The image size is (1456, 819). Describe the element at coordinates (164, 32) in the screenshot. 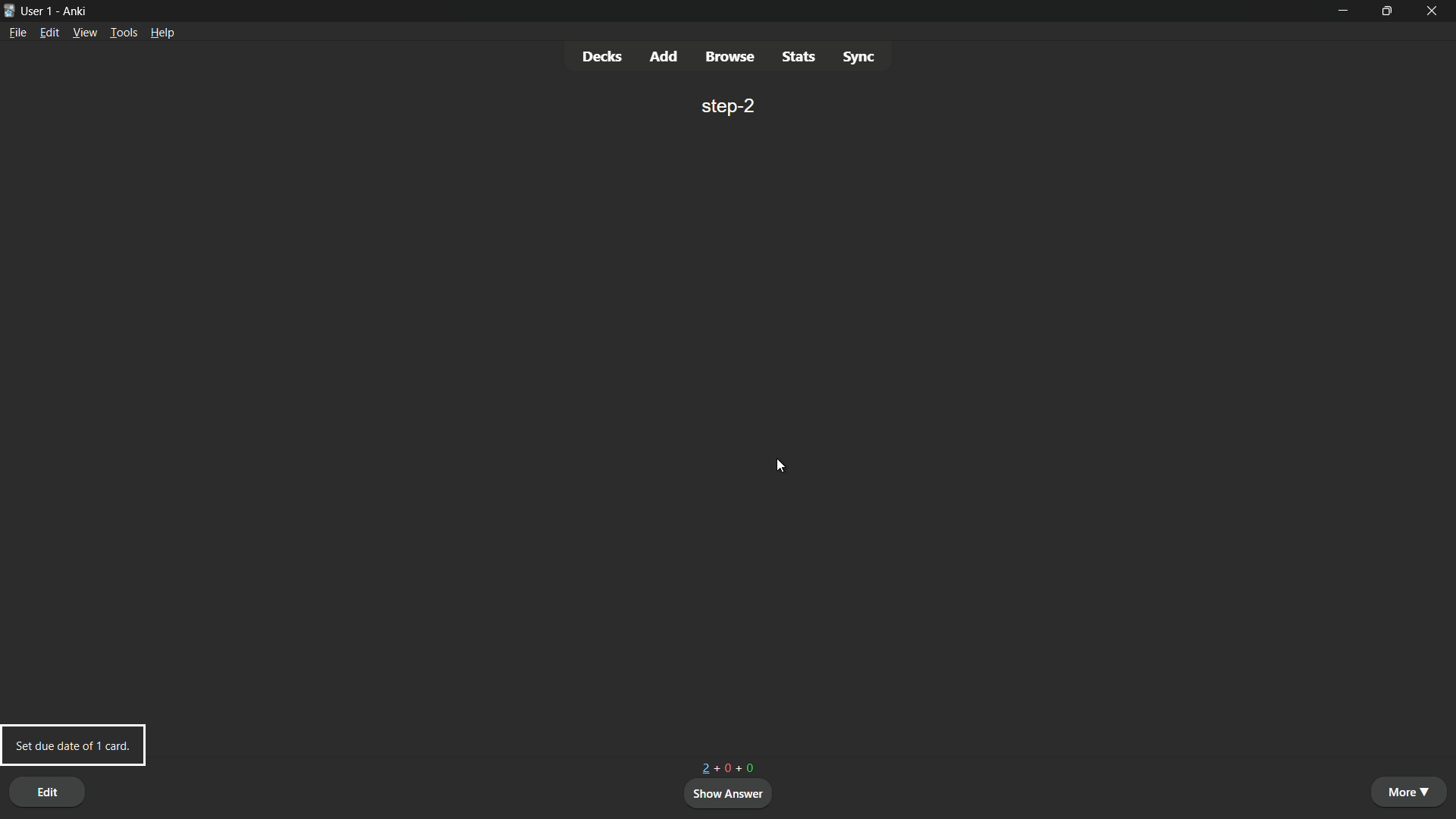

I see `help menu` at that location.